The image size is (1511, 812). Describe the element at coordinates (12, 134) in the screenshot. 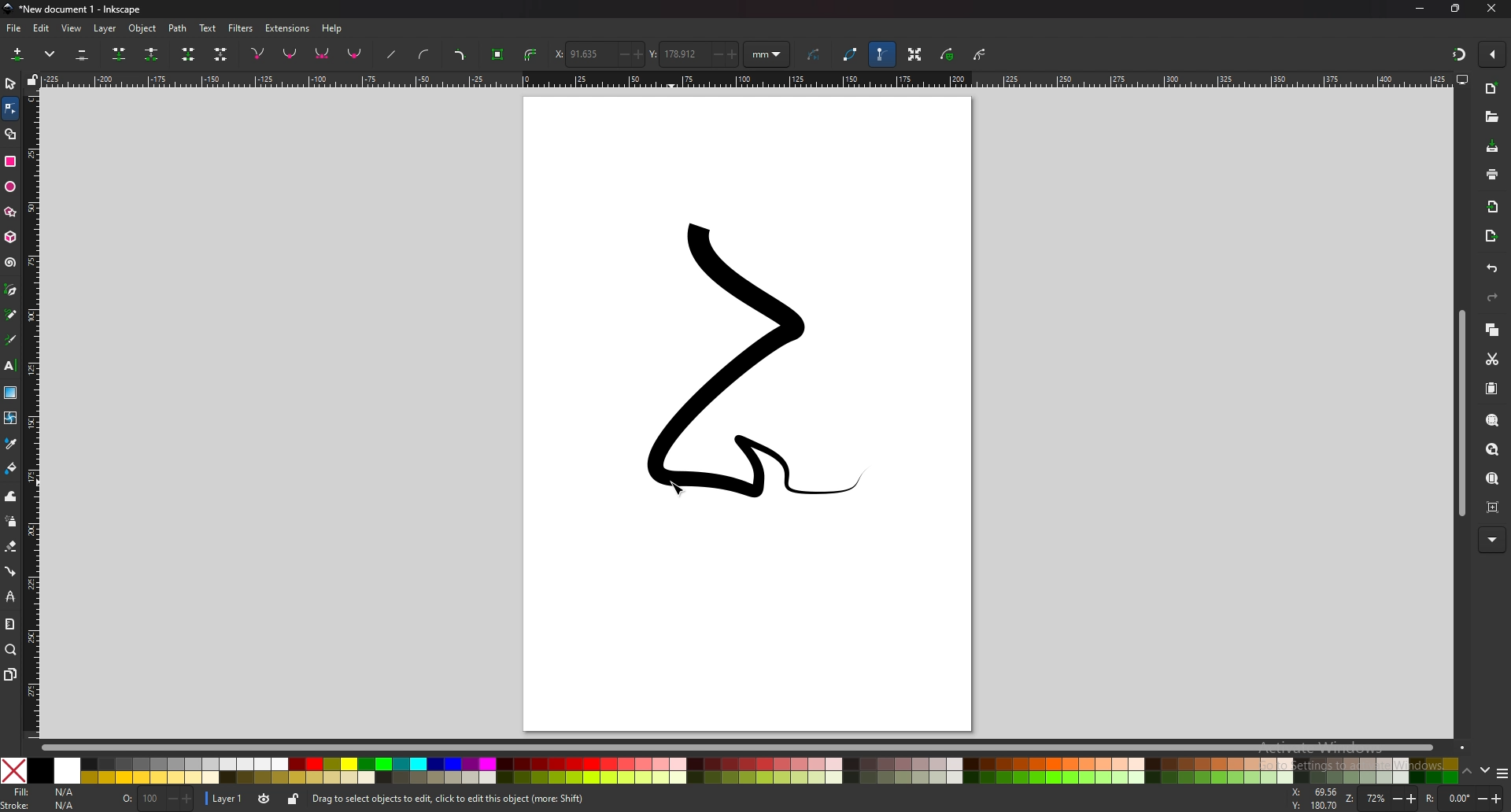

I see `shape builder` at that location.